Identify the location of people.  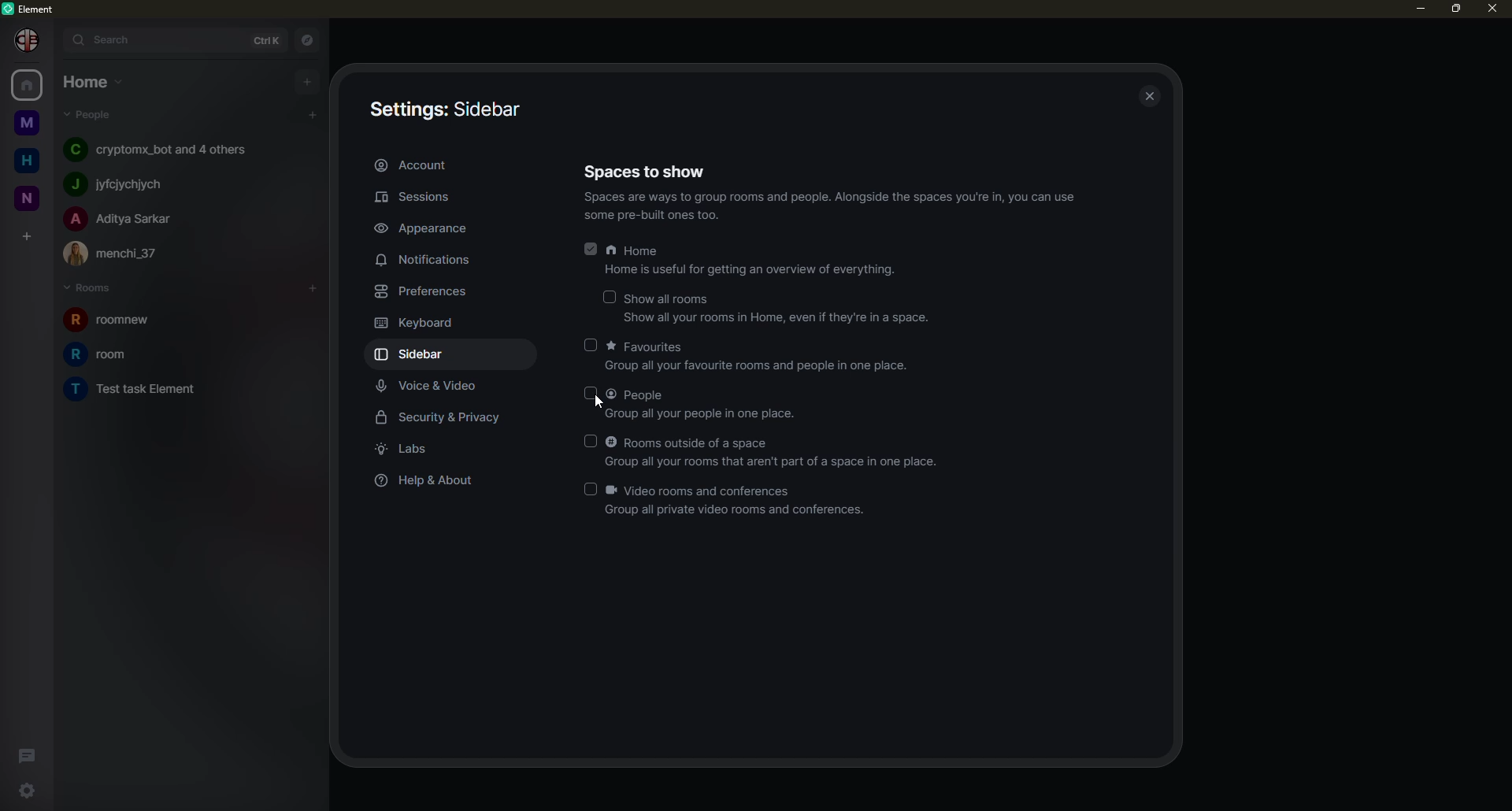
(156, 149).